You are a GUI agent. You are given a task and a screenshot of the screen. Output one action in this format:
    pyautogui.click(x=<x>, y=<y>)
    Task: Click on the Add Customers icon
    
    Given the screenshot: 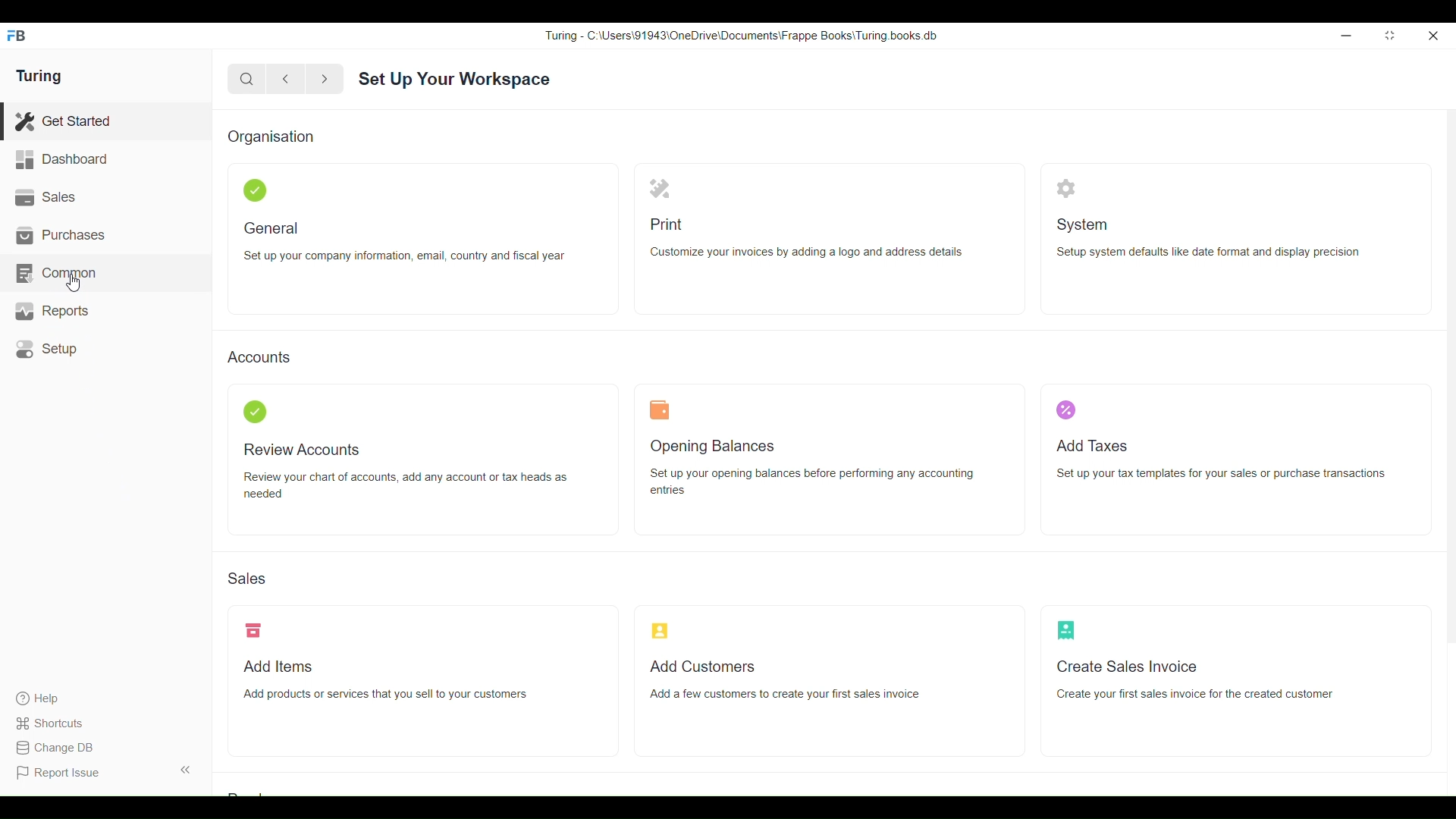 What is the action you would take?
    pyautogui.click(x=660, y=630)
    